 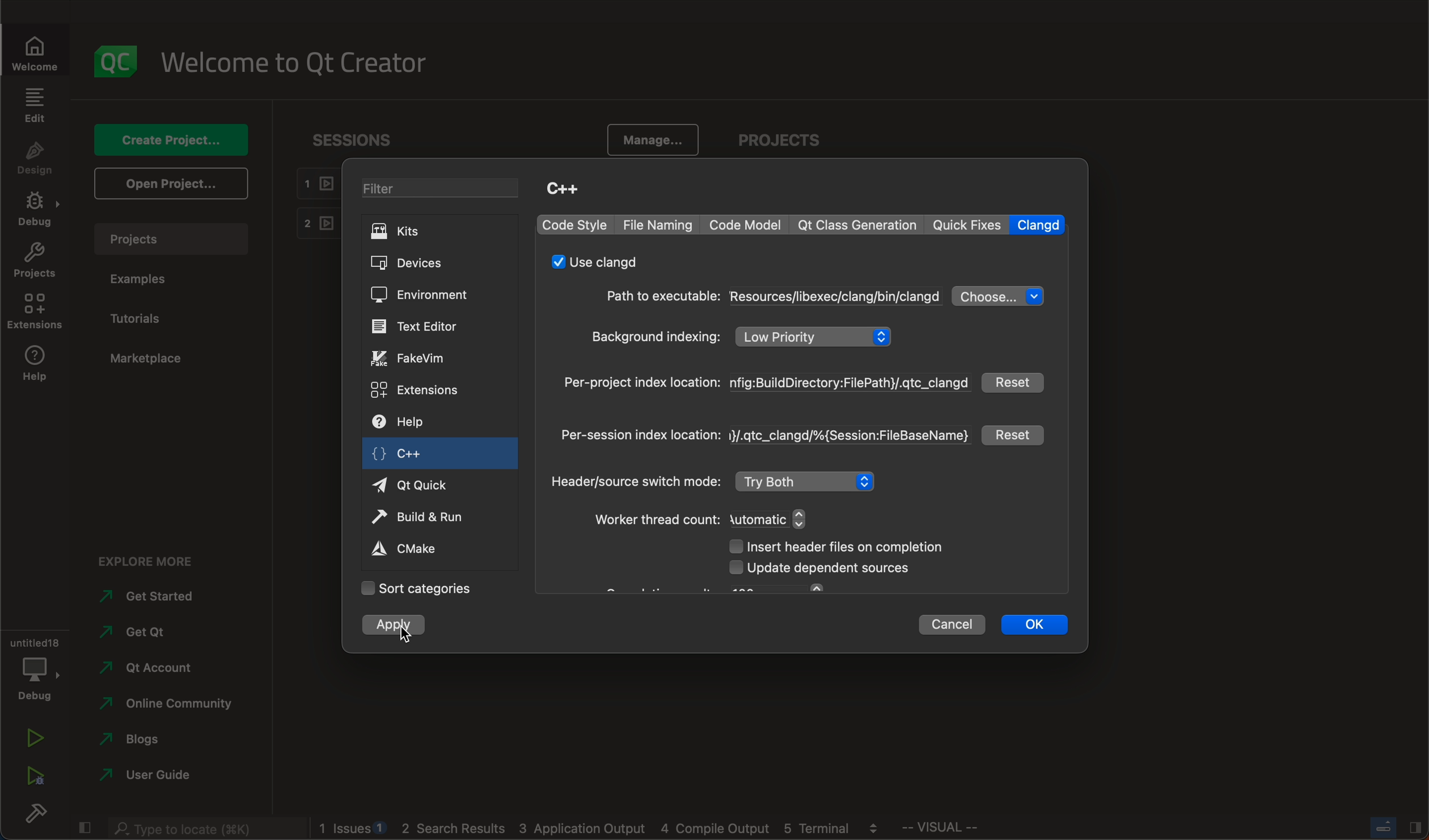 I want to click on background indexing, so click(x=745, y=337).